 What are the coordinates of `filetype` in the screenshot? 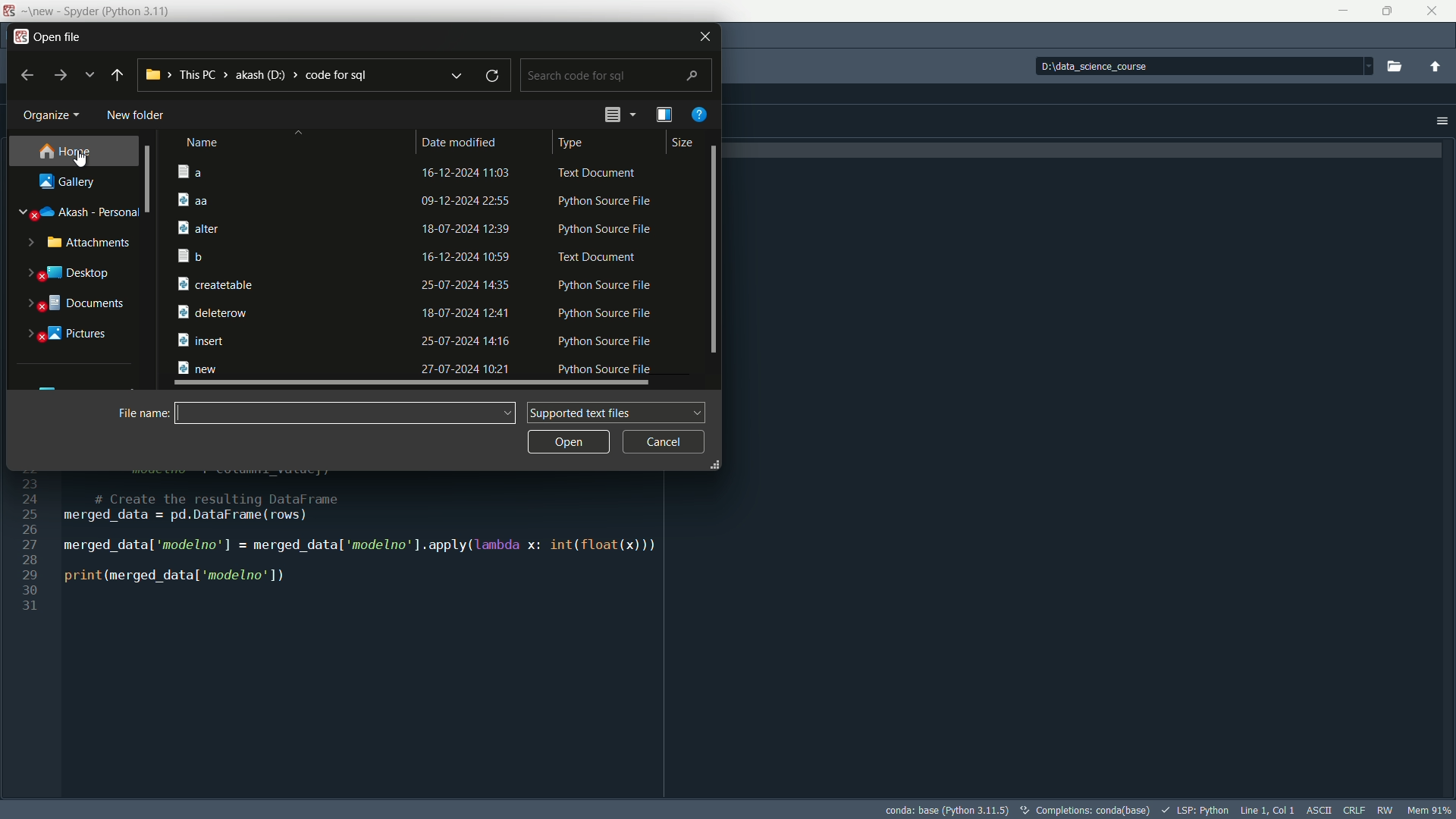 It's located at (607, 228).